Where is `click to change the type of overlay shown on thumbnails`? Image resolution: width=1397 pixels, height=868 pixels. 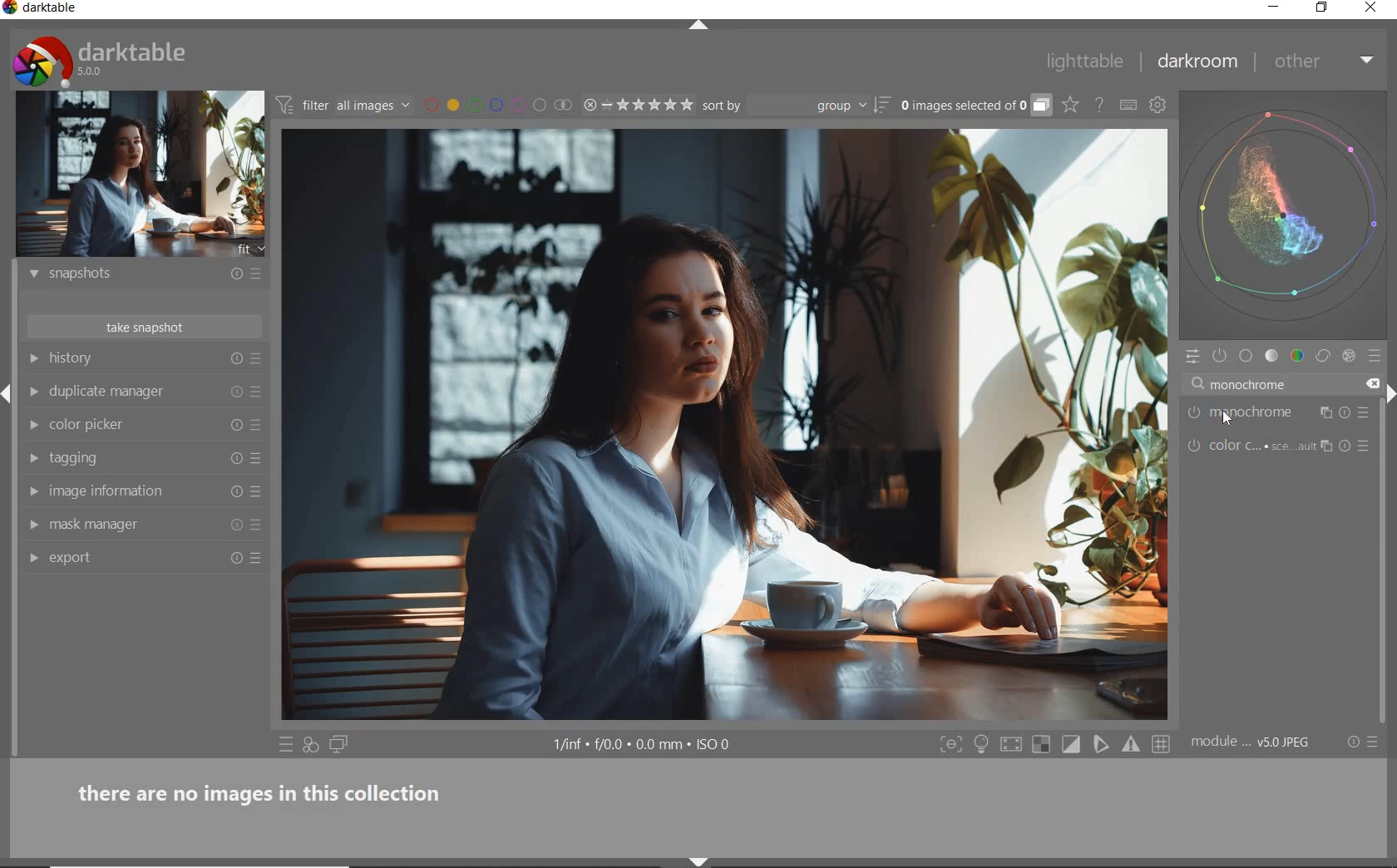 click to change the type of overlay shown on thumbnails is located at coordinates (1071, 106).